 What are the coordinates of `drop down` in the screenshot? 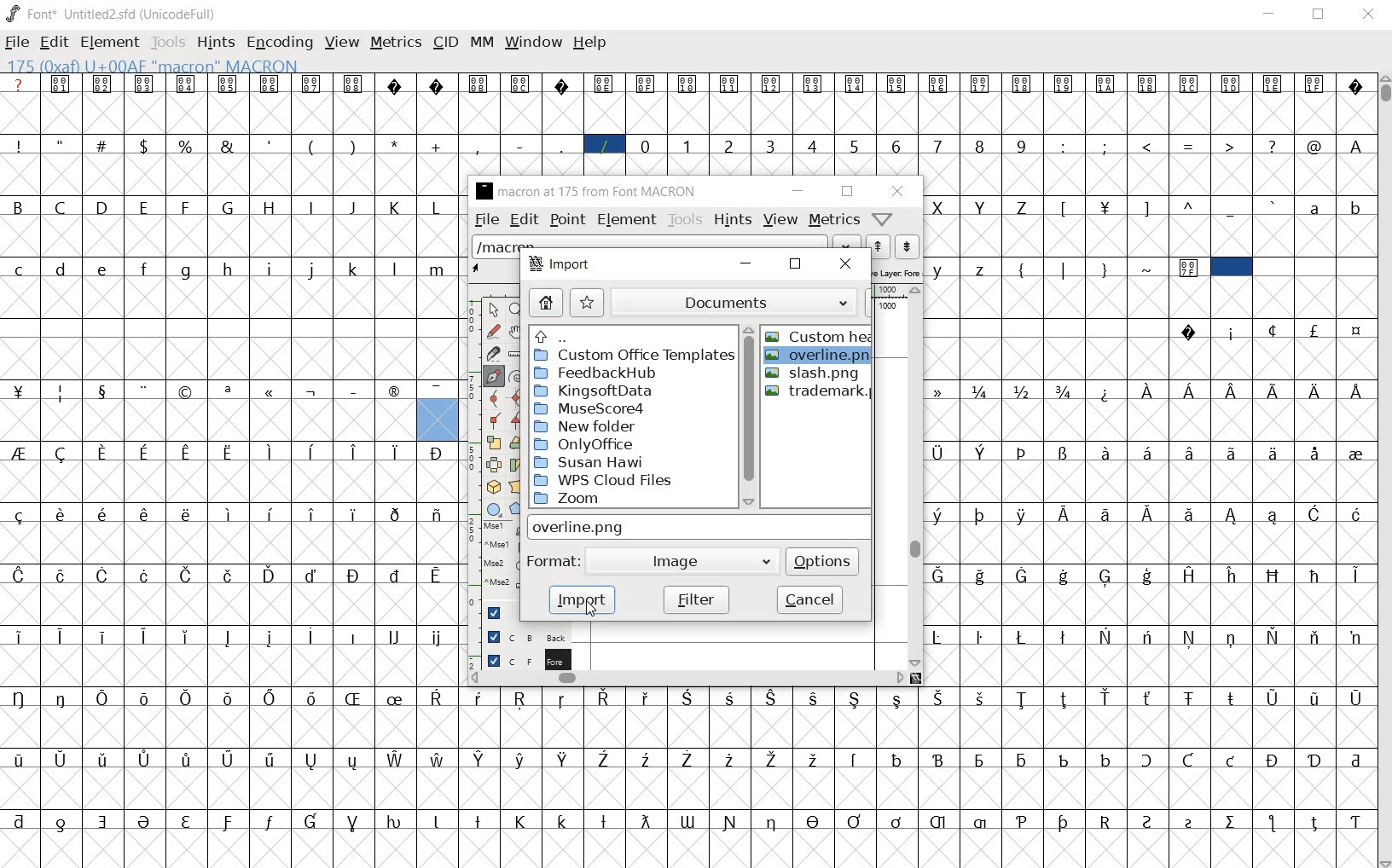 It's located at (844, 240).